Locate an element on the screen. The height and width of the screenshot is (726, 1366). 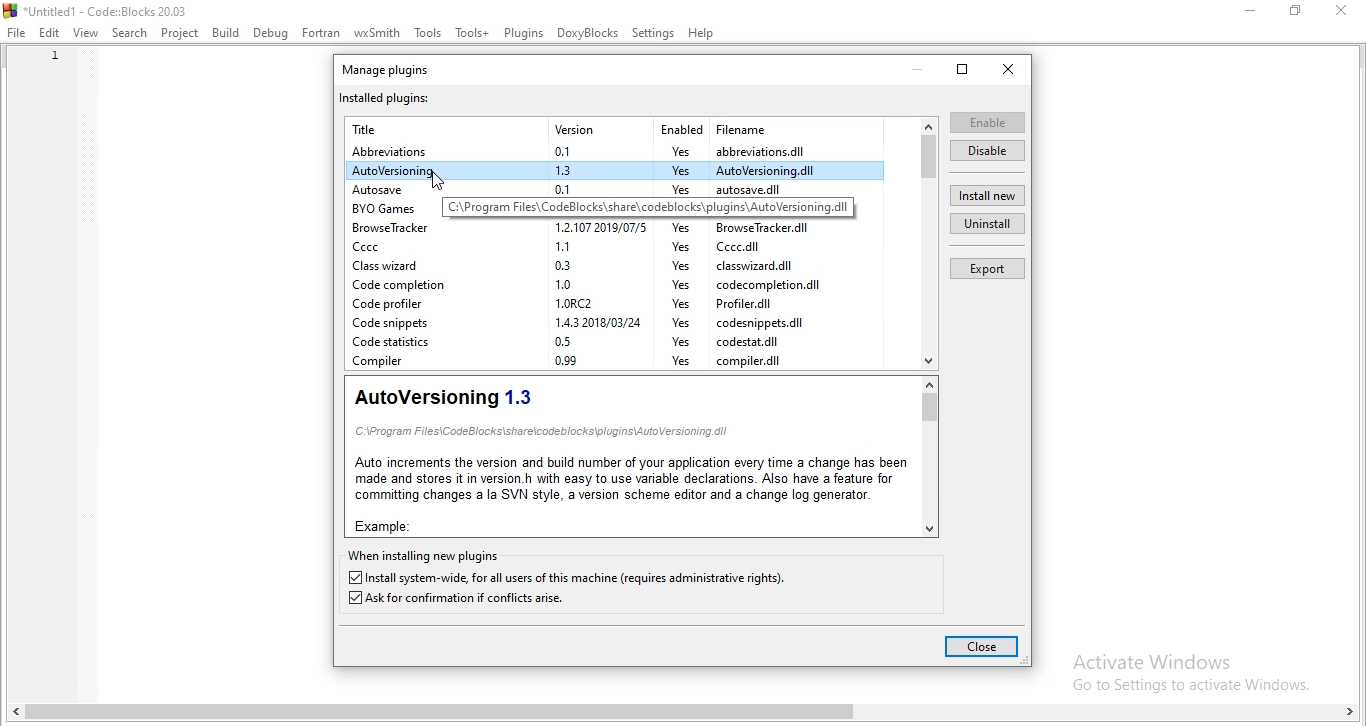
Code profiler 1.0RC2 Yes  Profiler.dll is located at coordinates (563, 305).